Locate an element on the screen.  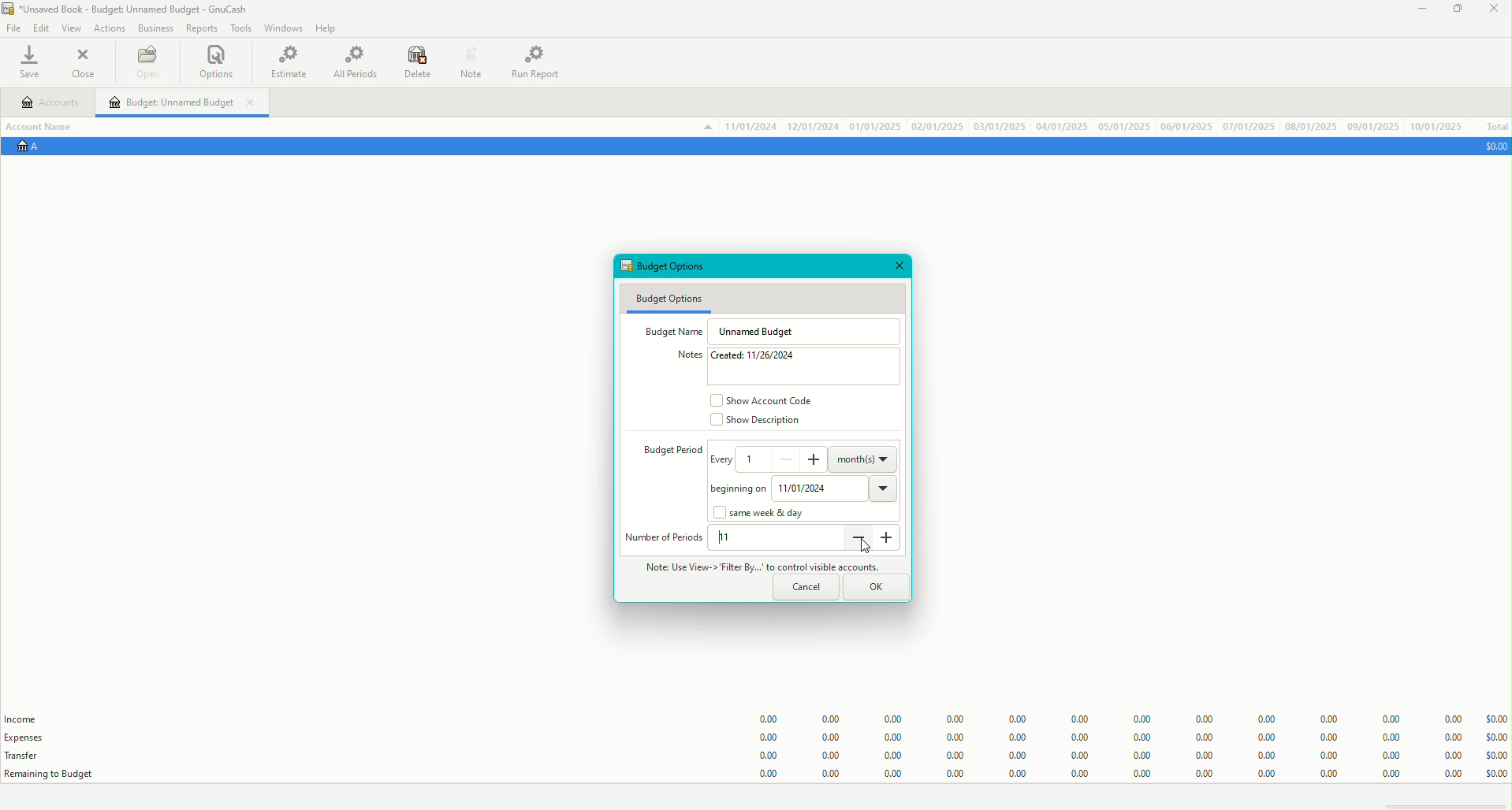
Remaining to Budget is located at coordinates (52, 774).